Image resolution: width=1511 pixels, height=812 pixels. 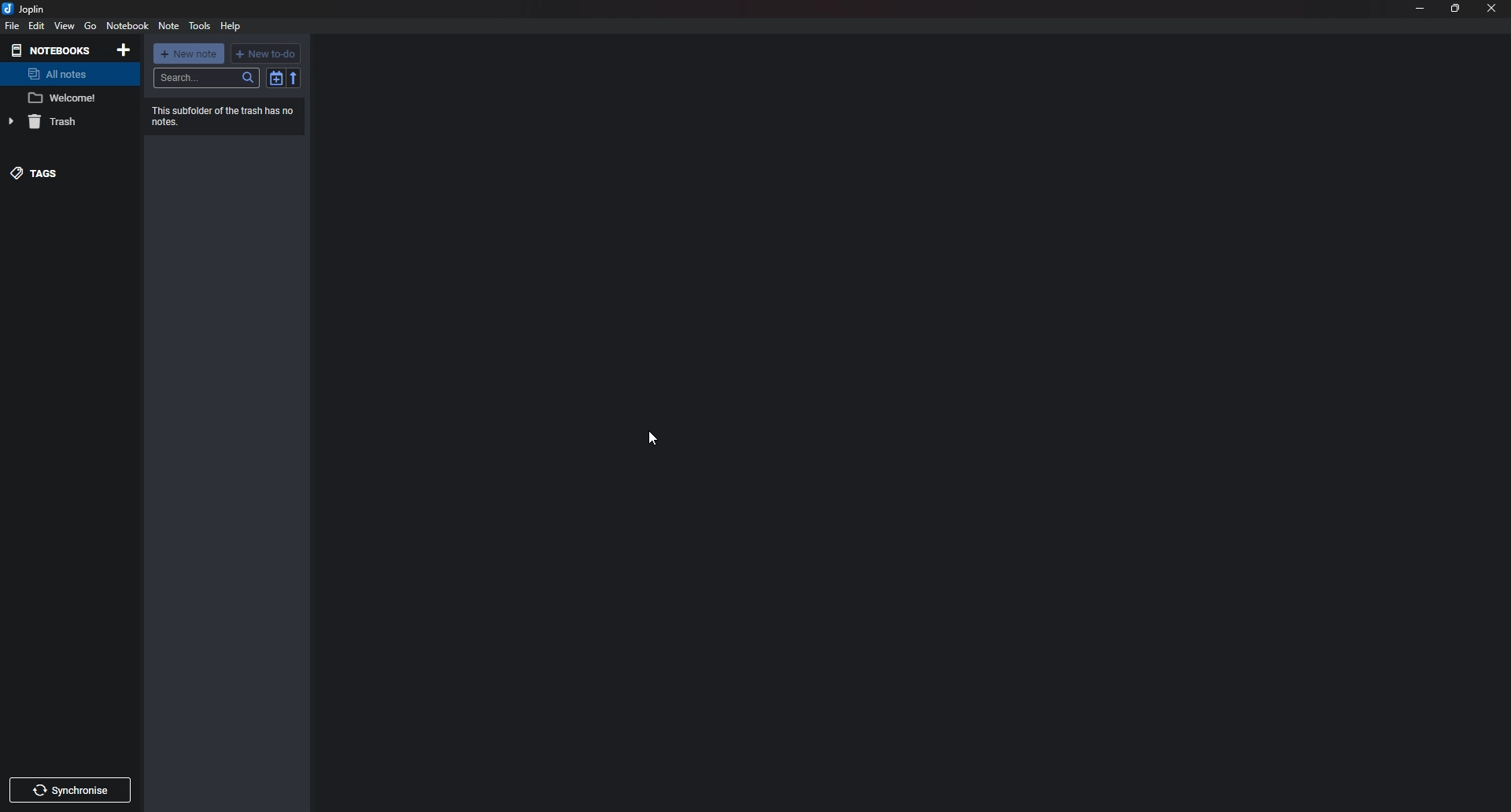 I want to click on Notebook, so click(x=128, y=27).